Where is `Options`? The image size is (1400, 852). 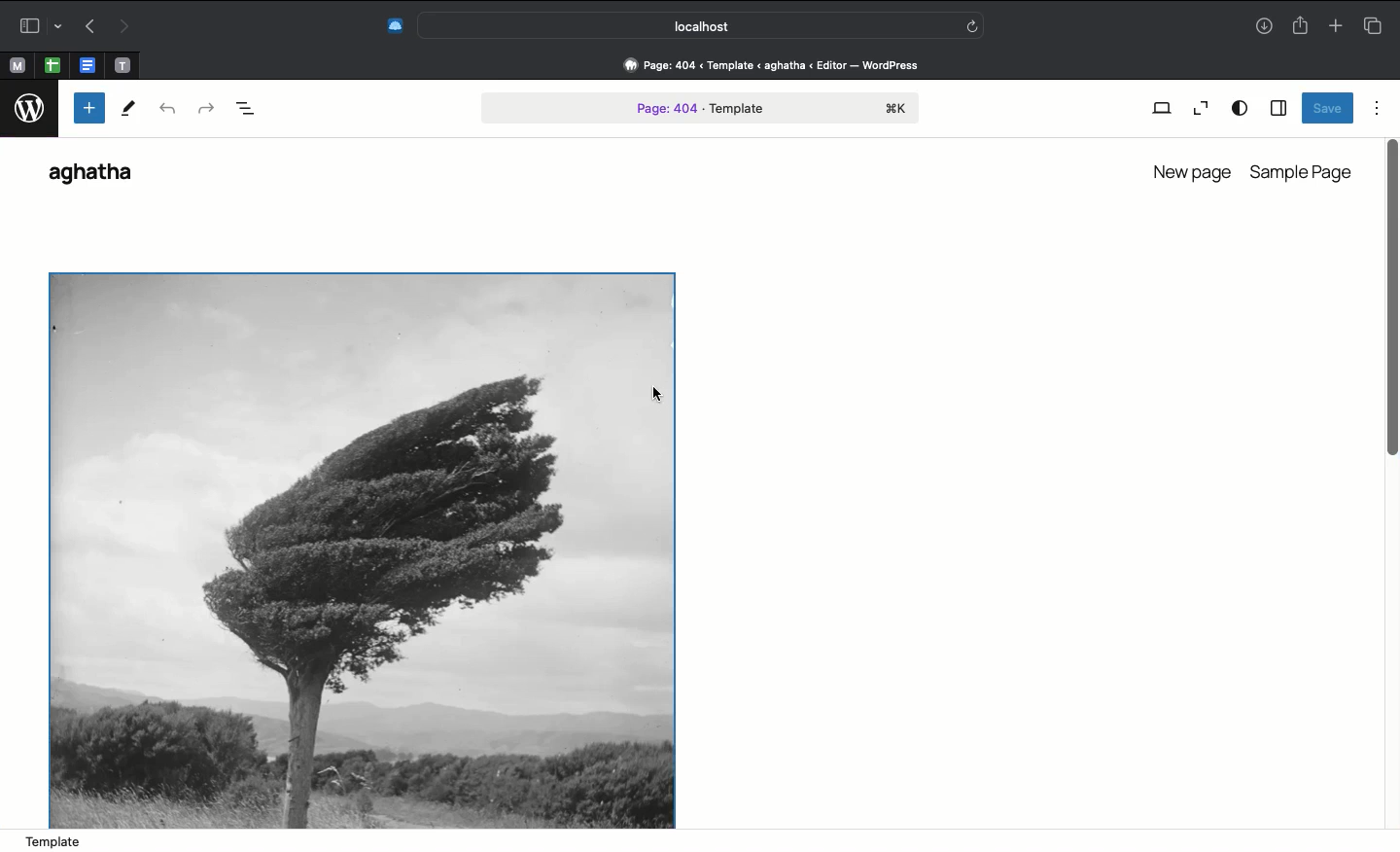 Options is located at coordinates (1378, 108).